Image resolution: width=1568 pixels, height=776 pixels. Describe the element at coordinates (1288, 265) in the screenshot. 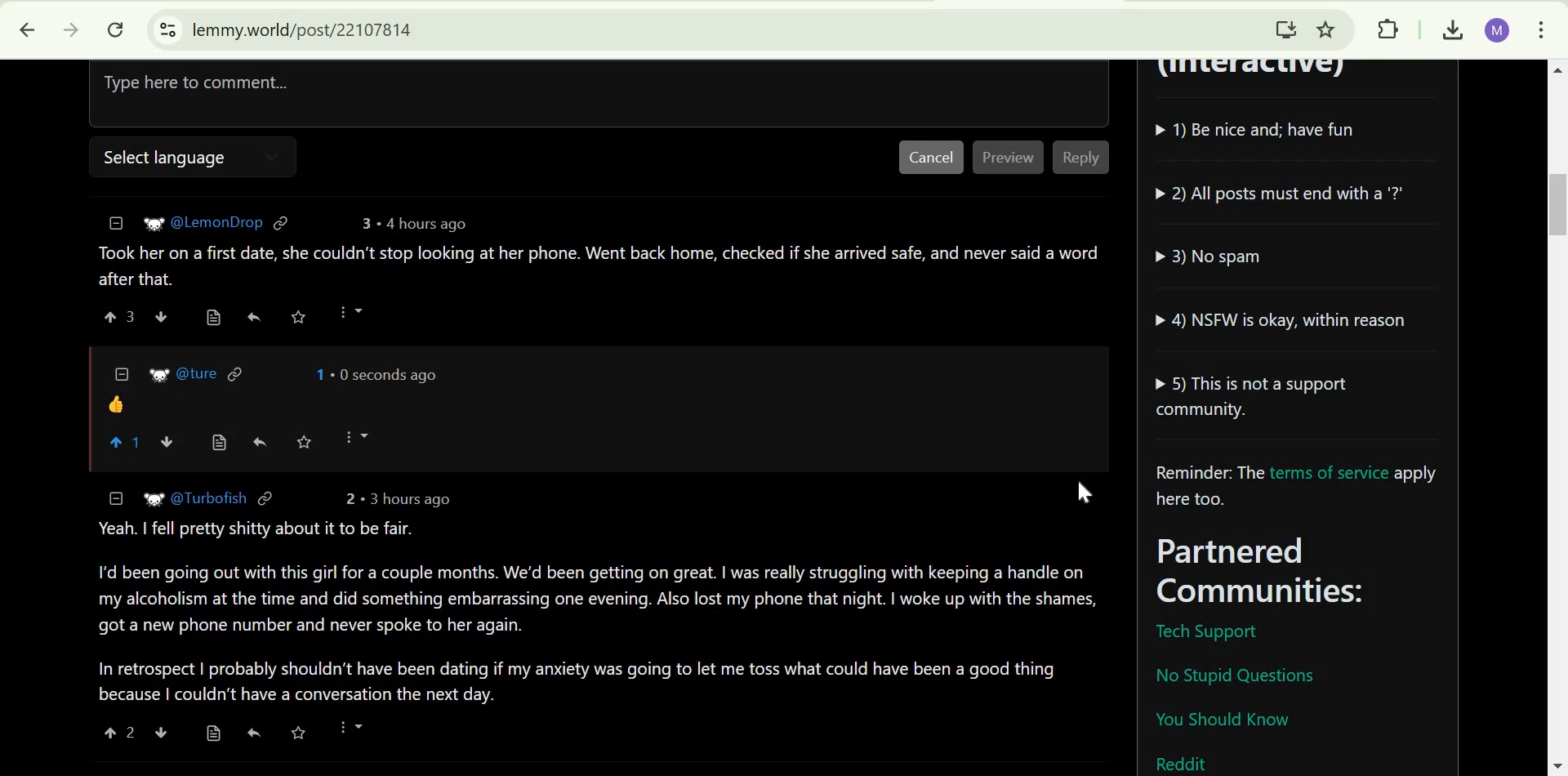

I see `community guidelines` at that location.